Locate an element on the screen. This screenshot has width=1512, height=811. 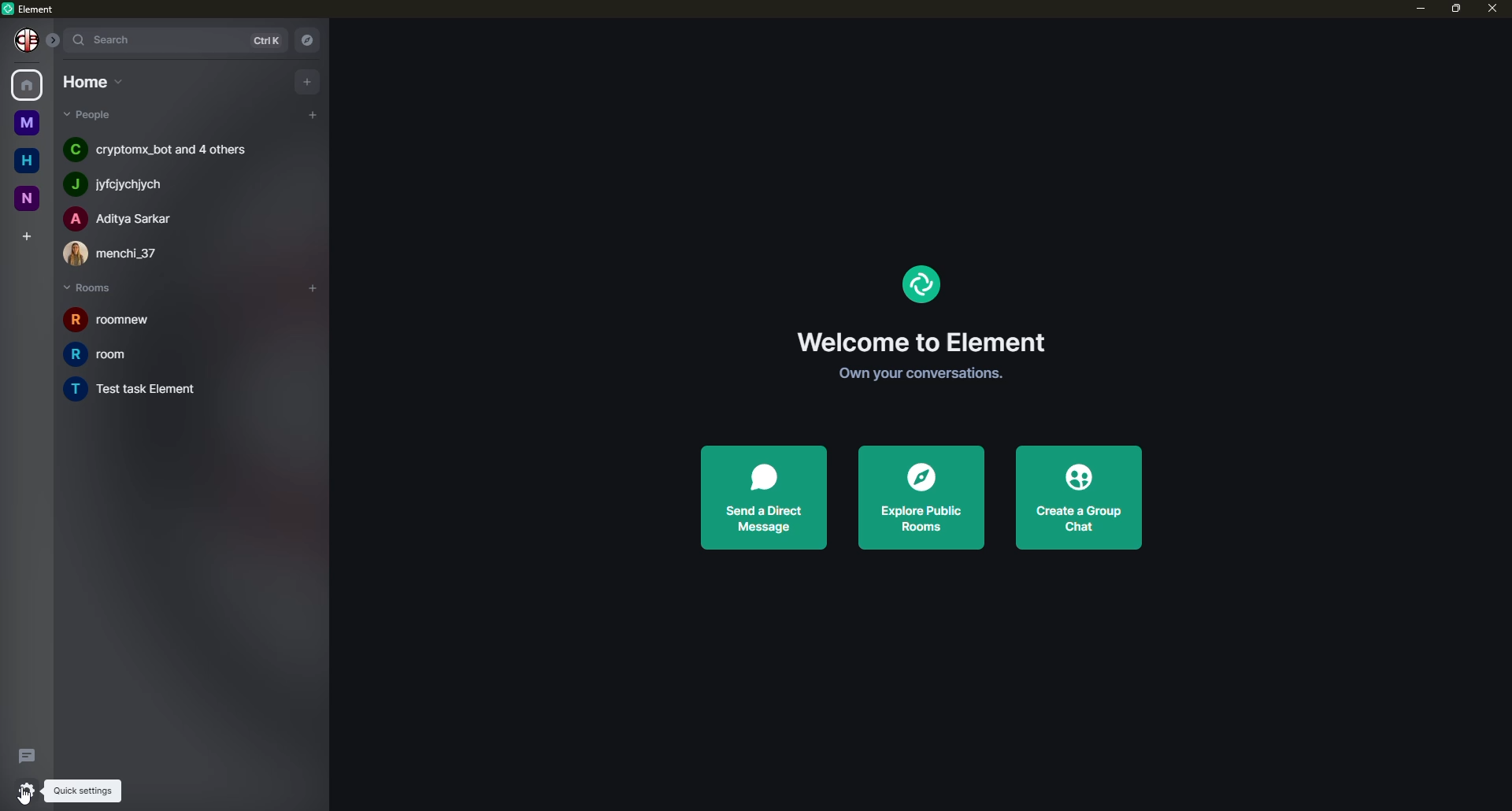
quick settings is located at coordinates (21, 789).